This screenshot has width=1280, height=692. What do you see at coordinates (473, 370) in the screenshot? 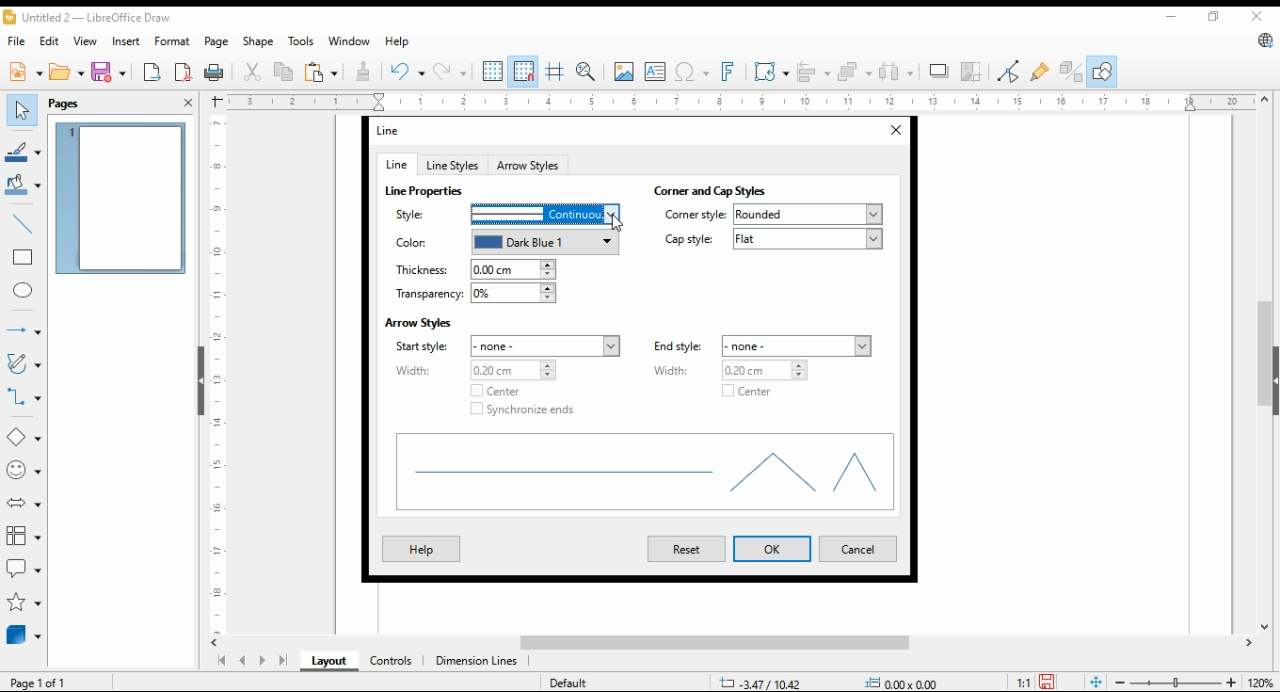
I see `width` at bounding box center [473, 370].